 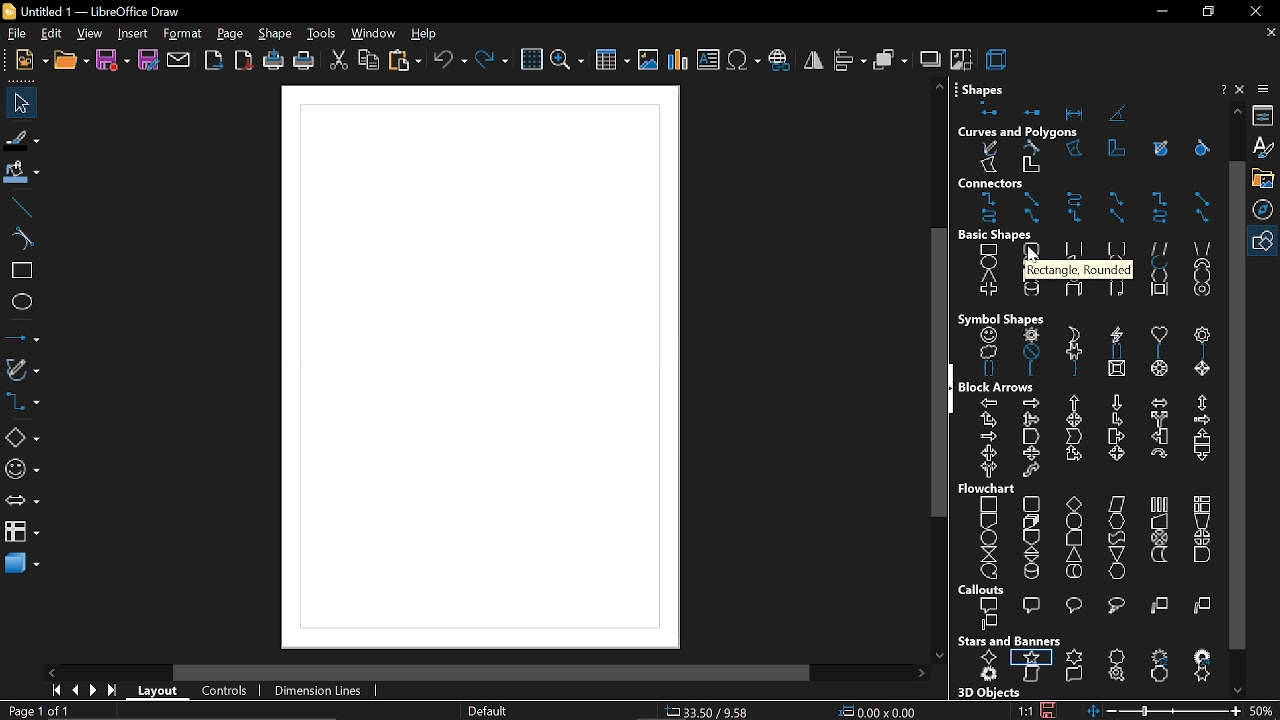 I want to click on insert image, so click(x=648, y=61).